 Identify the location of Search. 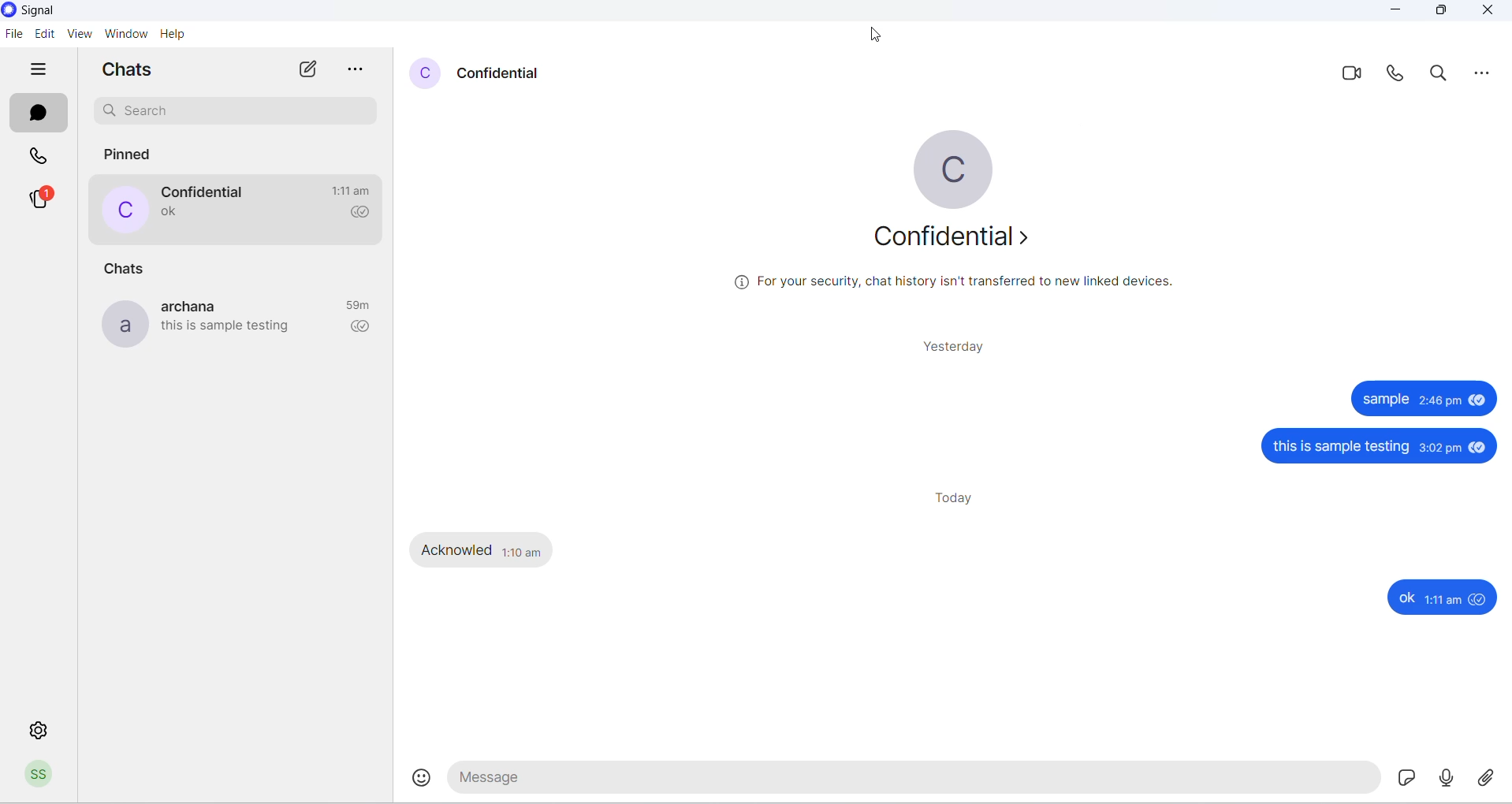
(239, 111).